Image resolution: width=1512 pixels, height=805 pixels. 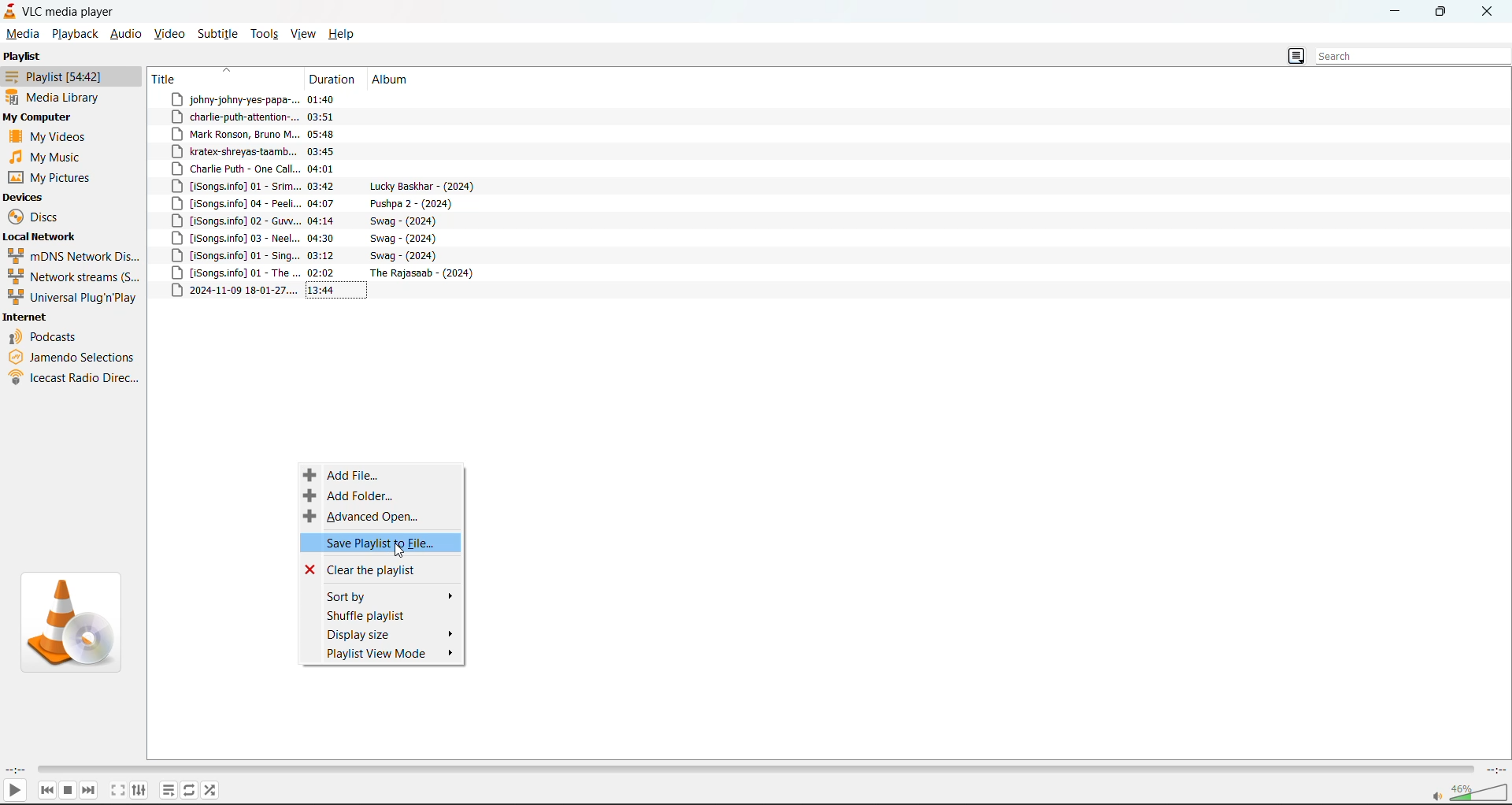 I want to click on title, so click(x=170, y=79).